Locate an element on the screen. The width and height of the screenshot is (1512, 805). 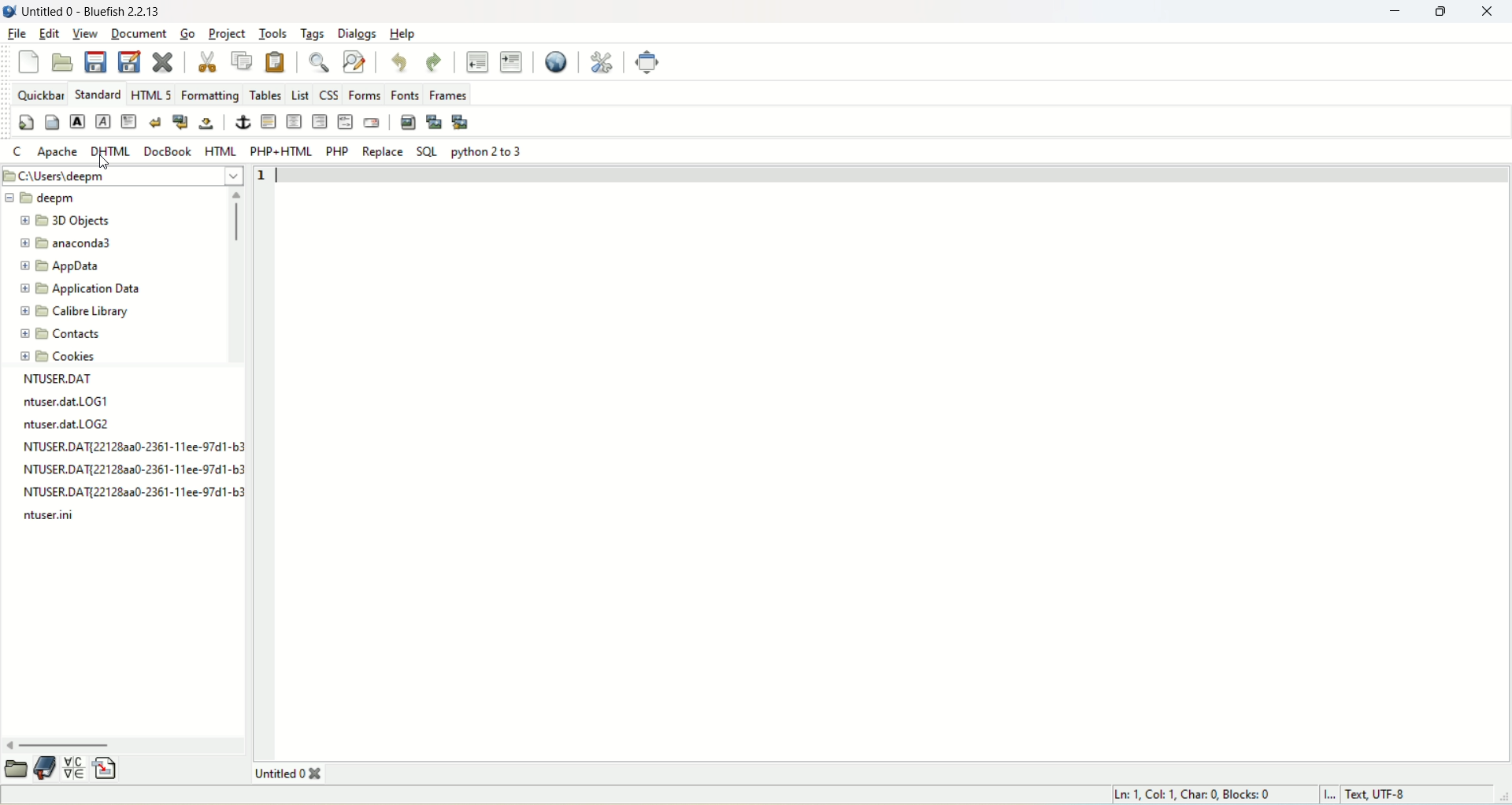
insert images is located at coordinates (407, 121).